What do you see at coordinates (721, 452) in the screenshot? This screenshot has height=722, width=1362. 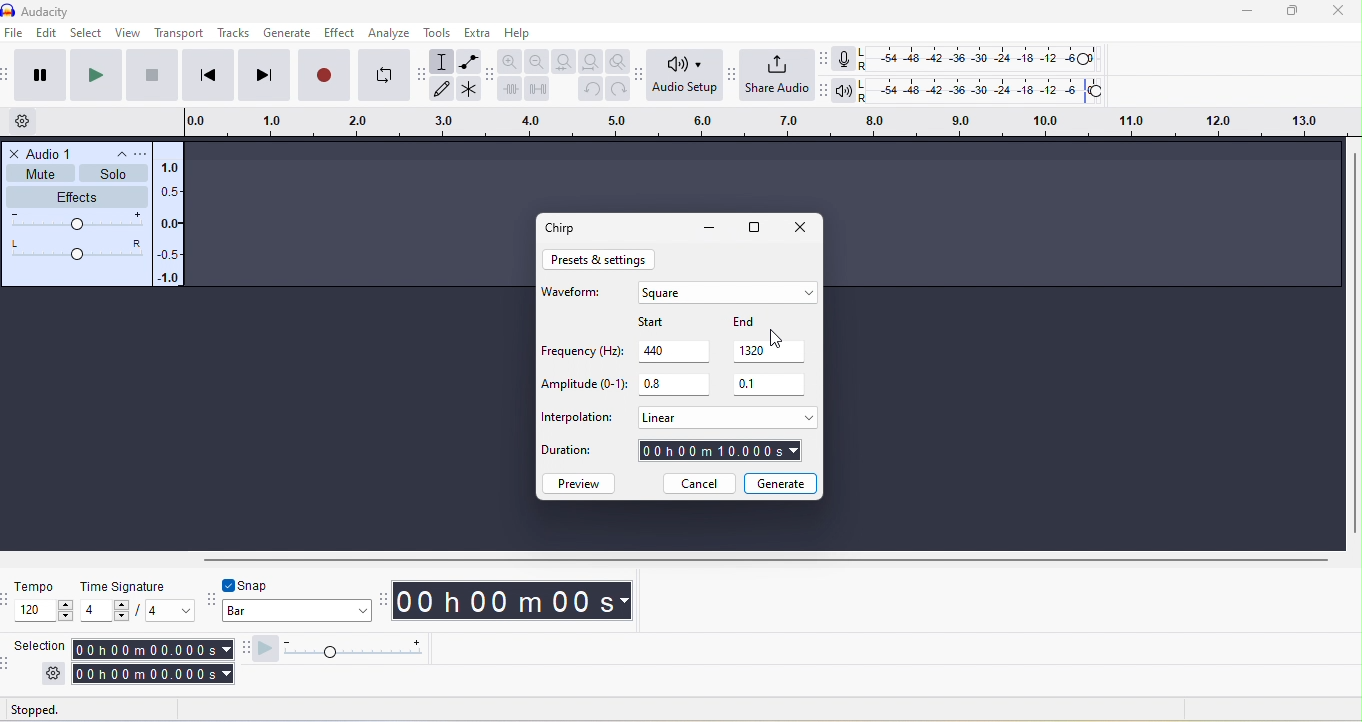 I see `00 h 00 m 10.000 s` at bounding box center [721, 452].